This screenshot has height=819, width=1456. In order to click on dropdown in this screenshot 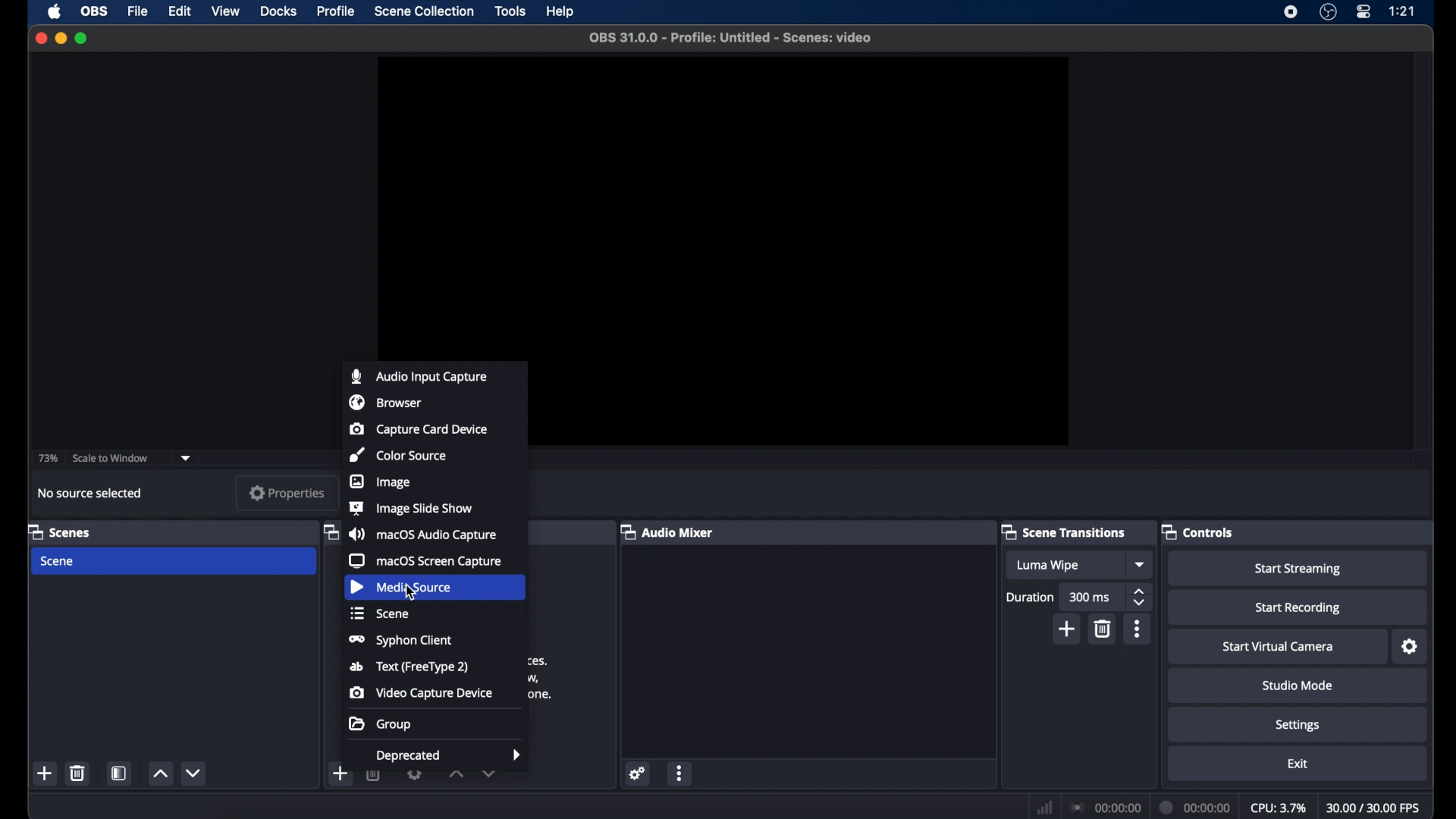, I will do `click(1141, 564)`.